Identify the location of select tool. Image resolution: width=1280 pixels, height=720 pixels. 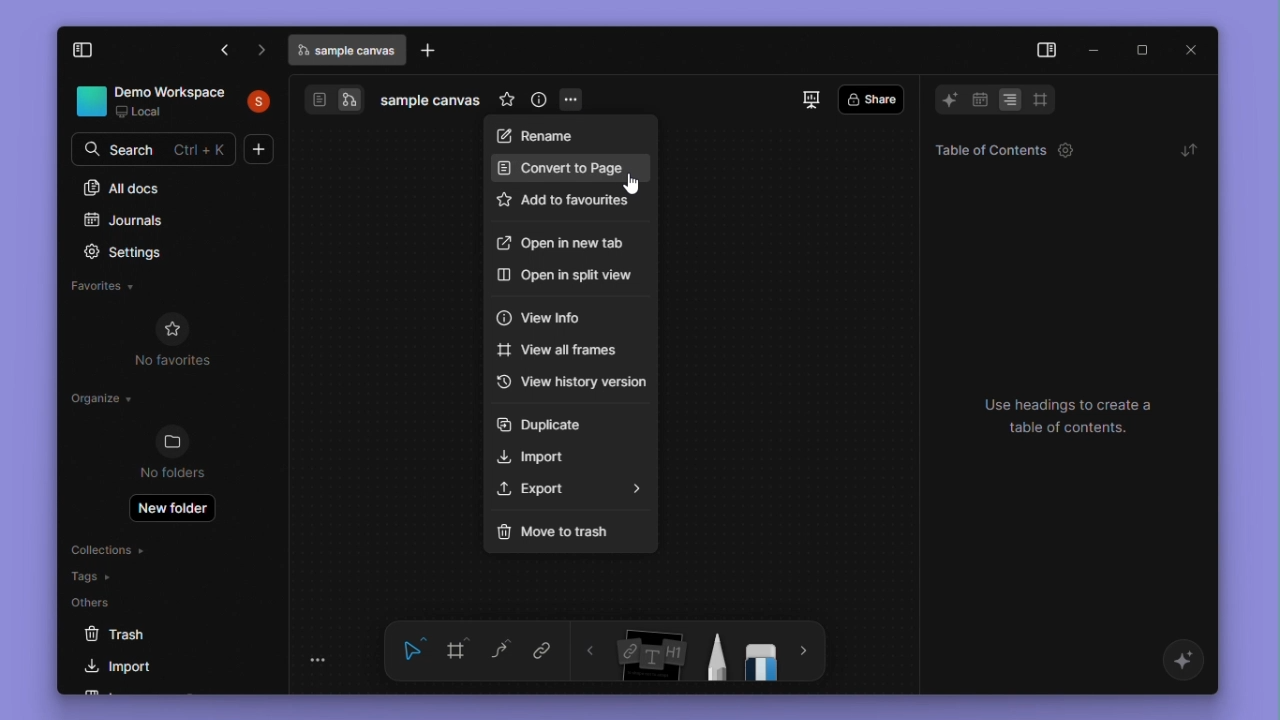
(413, 653).